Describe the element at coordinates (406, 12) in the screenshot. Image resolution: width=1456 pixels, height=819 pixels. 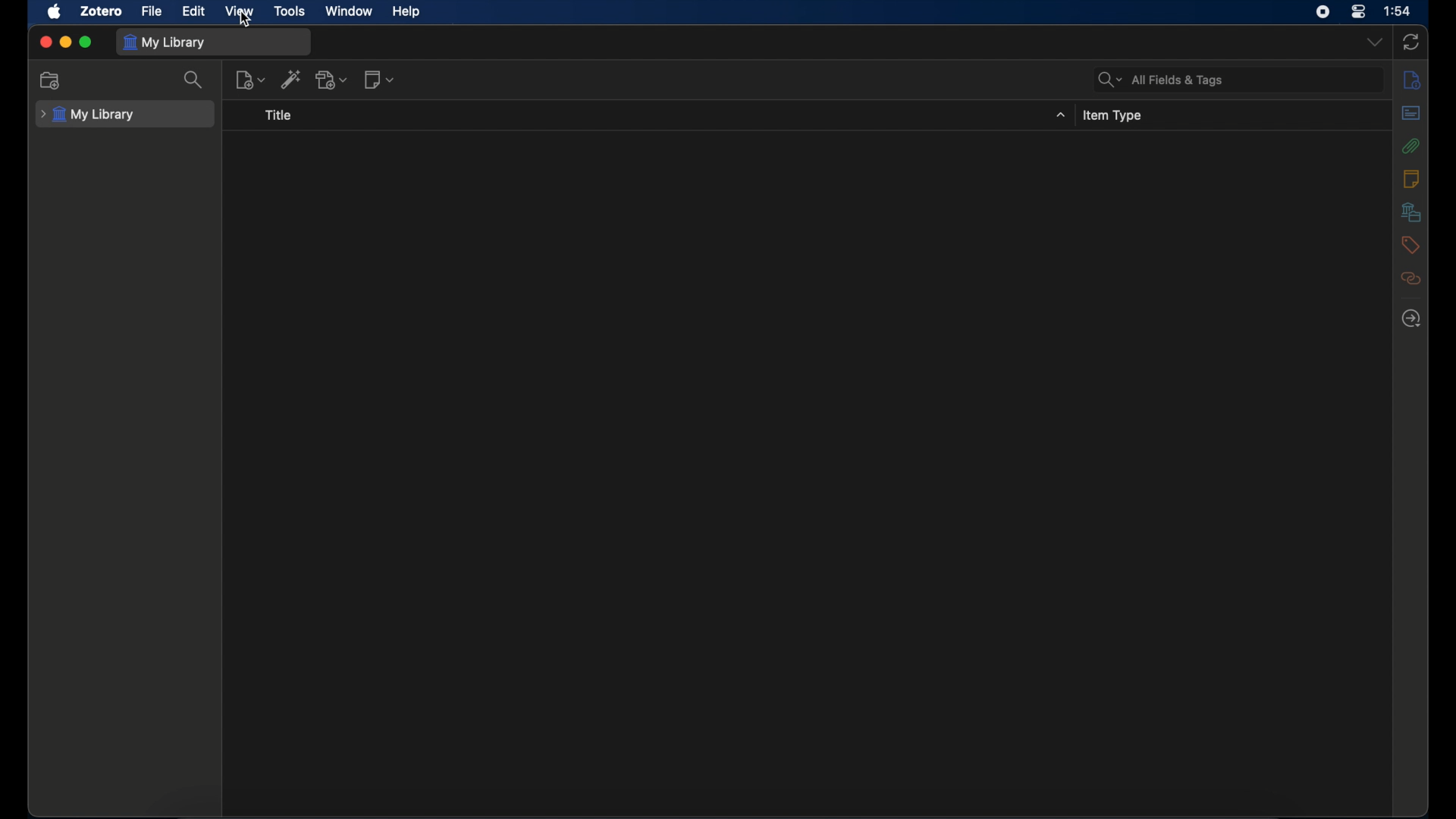
I see `help` at that location.